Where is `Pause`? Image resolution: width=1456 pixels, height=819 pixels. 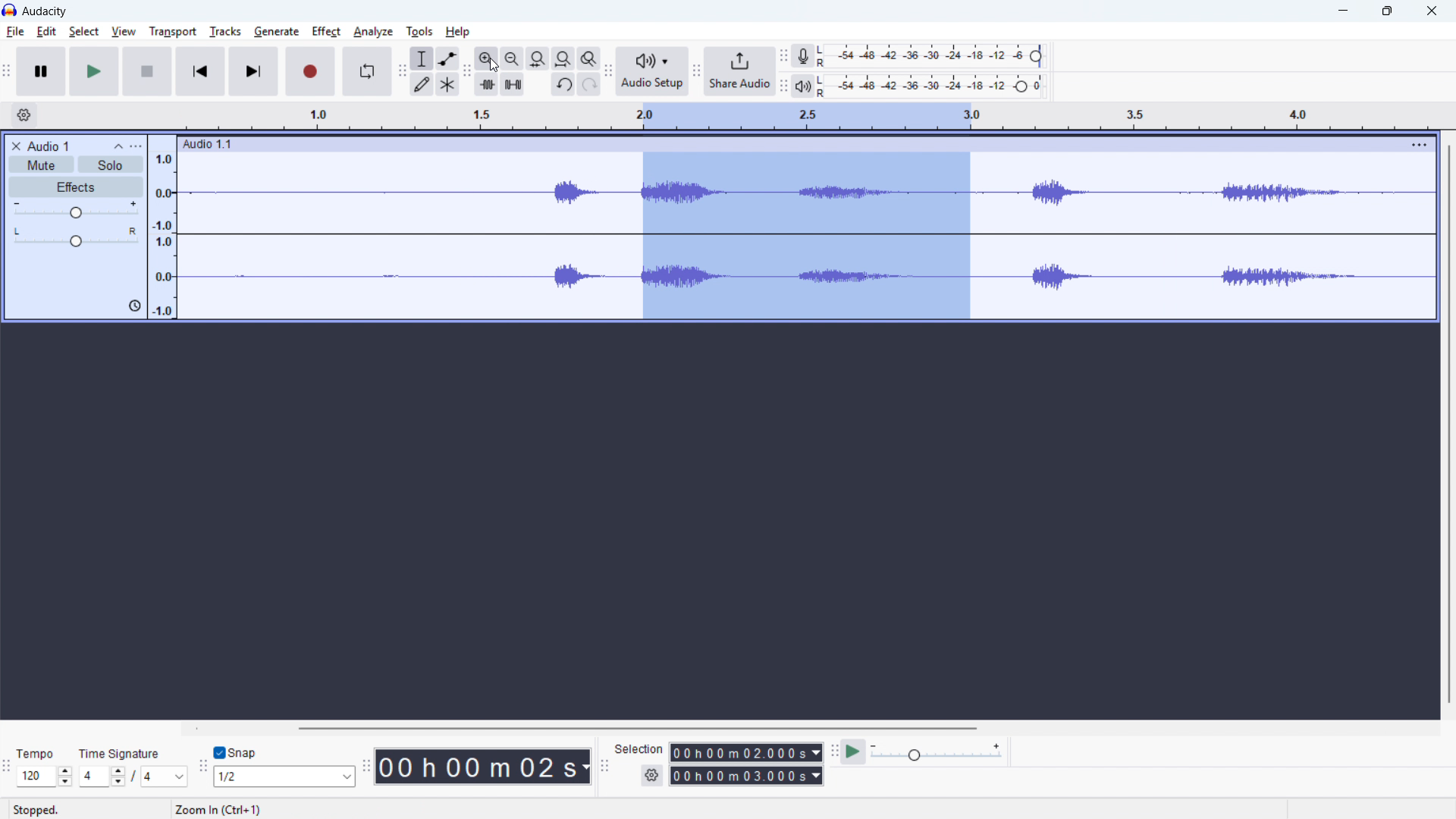 Pause is located at coordinates (42, 71).